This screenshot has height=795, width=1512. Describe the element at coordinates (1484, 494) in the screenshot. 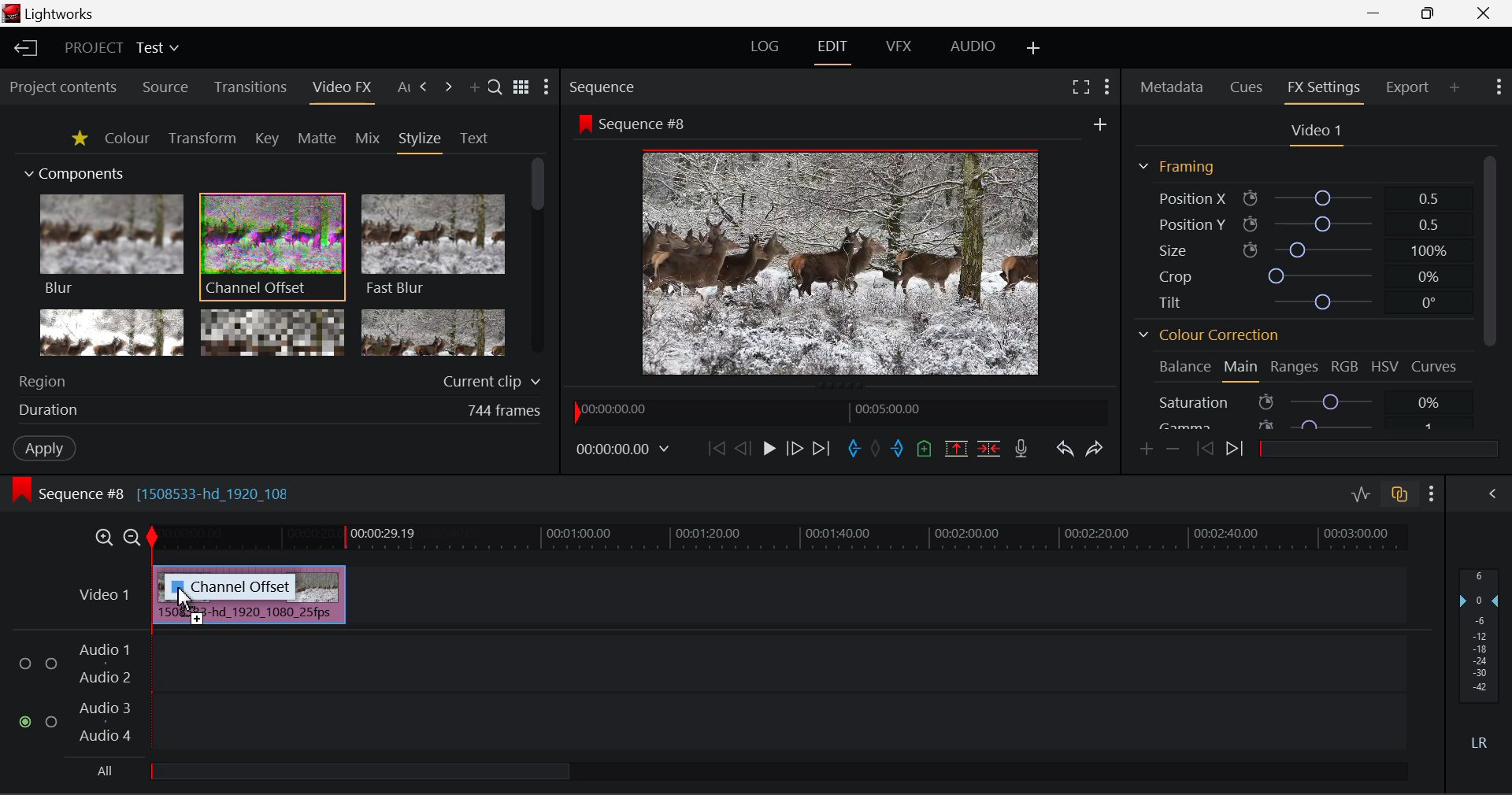

I see `Show Audio Mix` at that location.